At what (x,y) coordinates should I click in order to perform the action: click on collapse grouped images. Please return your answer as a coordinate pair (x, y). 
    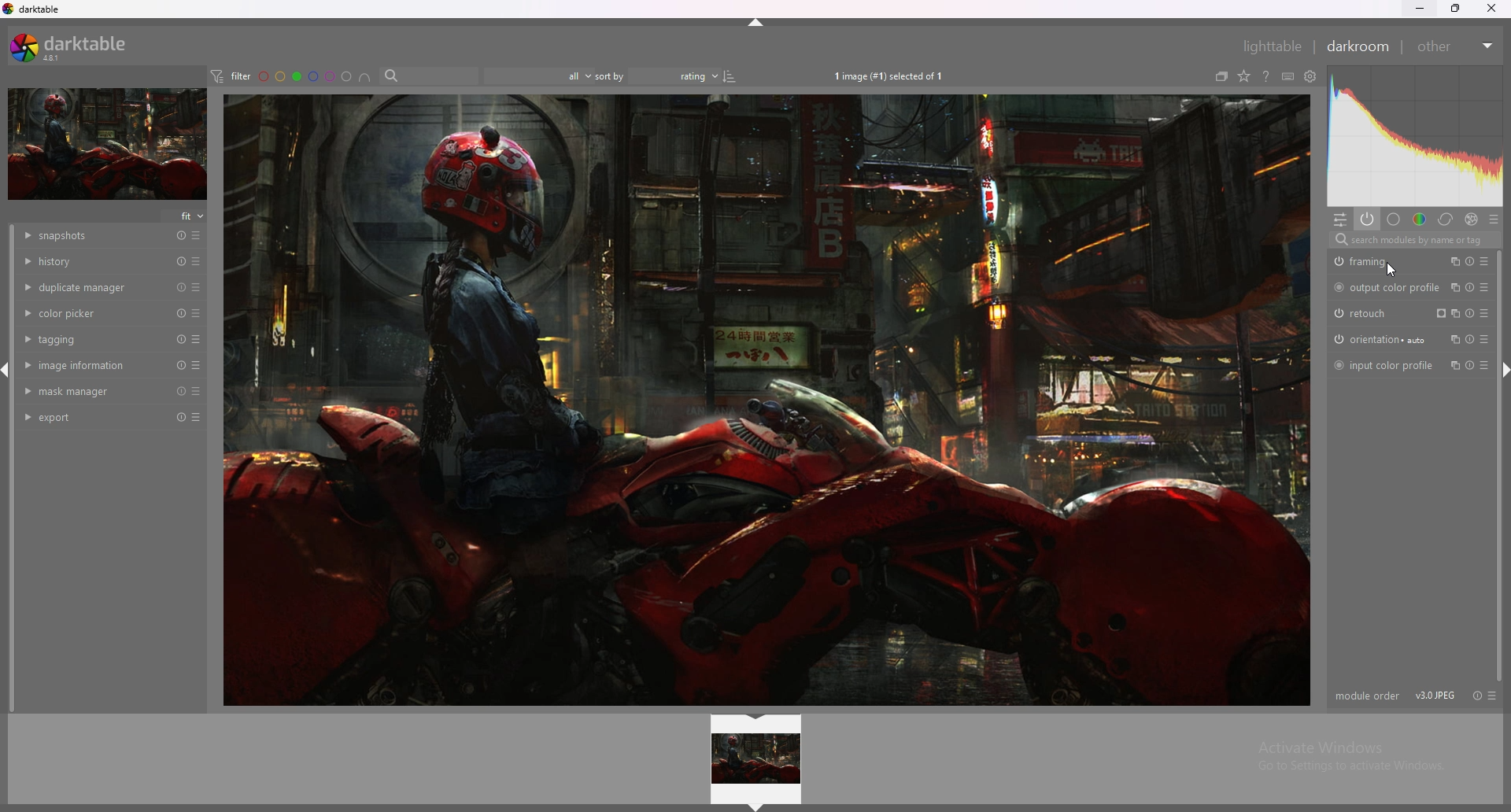
    Looking at the image, I should click on (1221, 77).